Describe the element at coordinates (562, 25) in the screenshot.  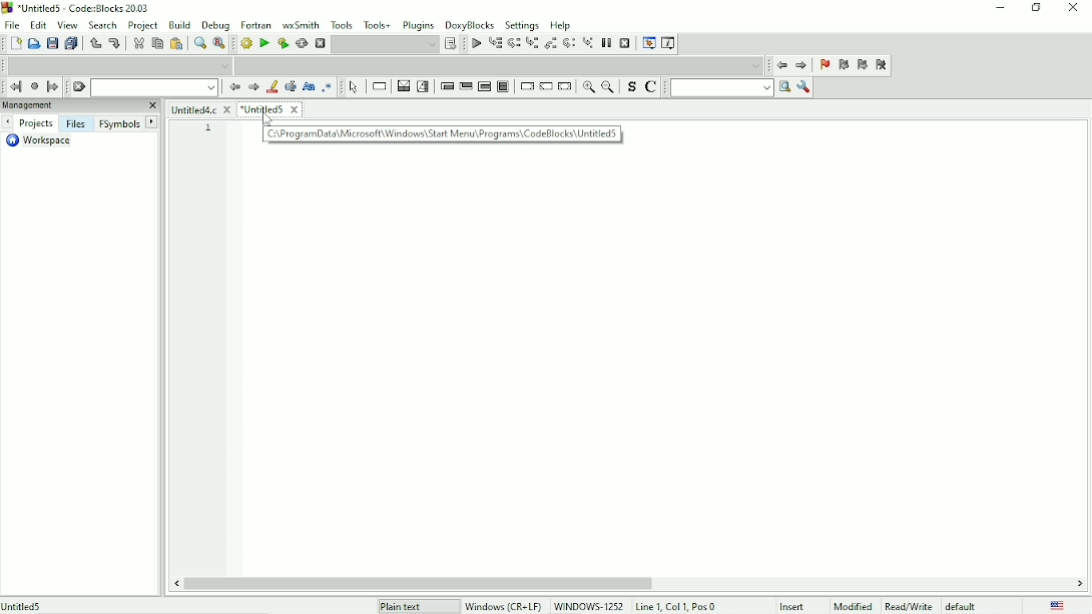
I see `Help` at that location.